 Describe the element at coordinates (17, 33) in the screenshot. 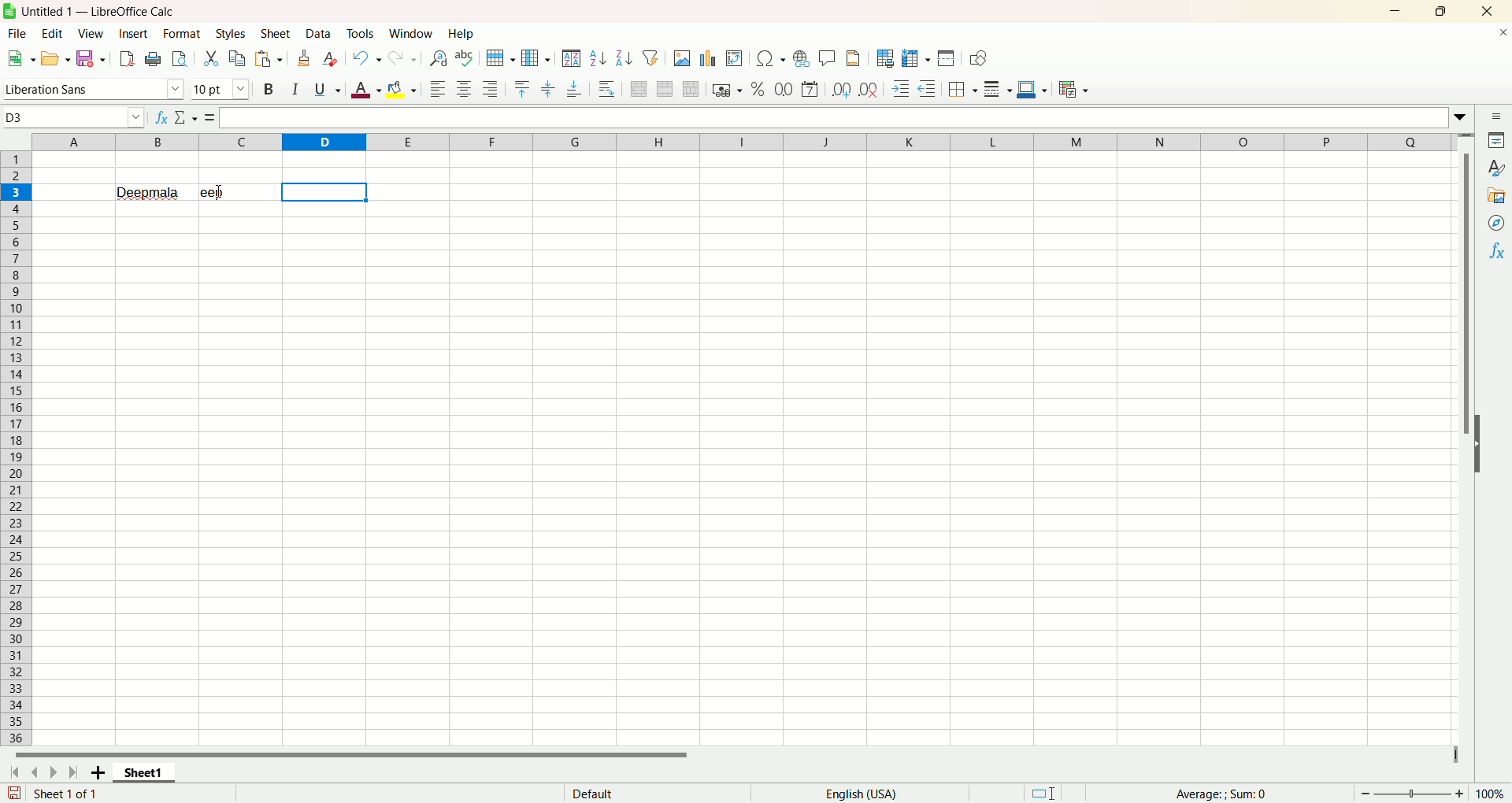

I see `File` at that location.